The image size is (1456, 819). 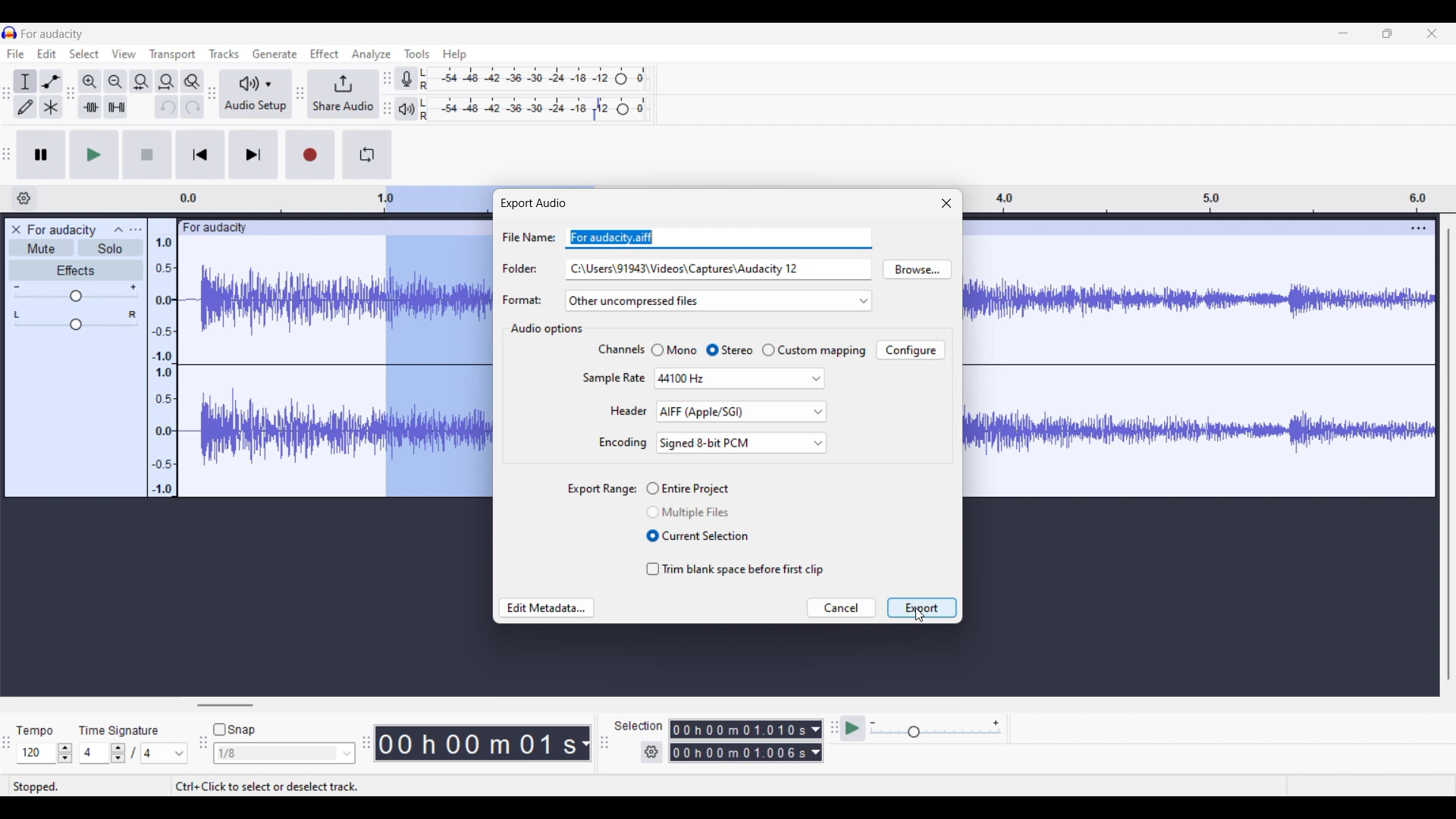 I want to click on selection, so click(x=638, y=725).